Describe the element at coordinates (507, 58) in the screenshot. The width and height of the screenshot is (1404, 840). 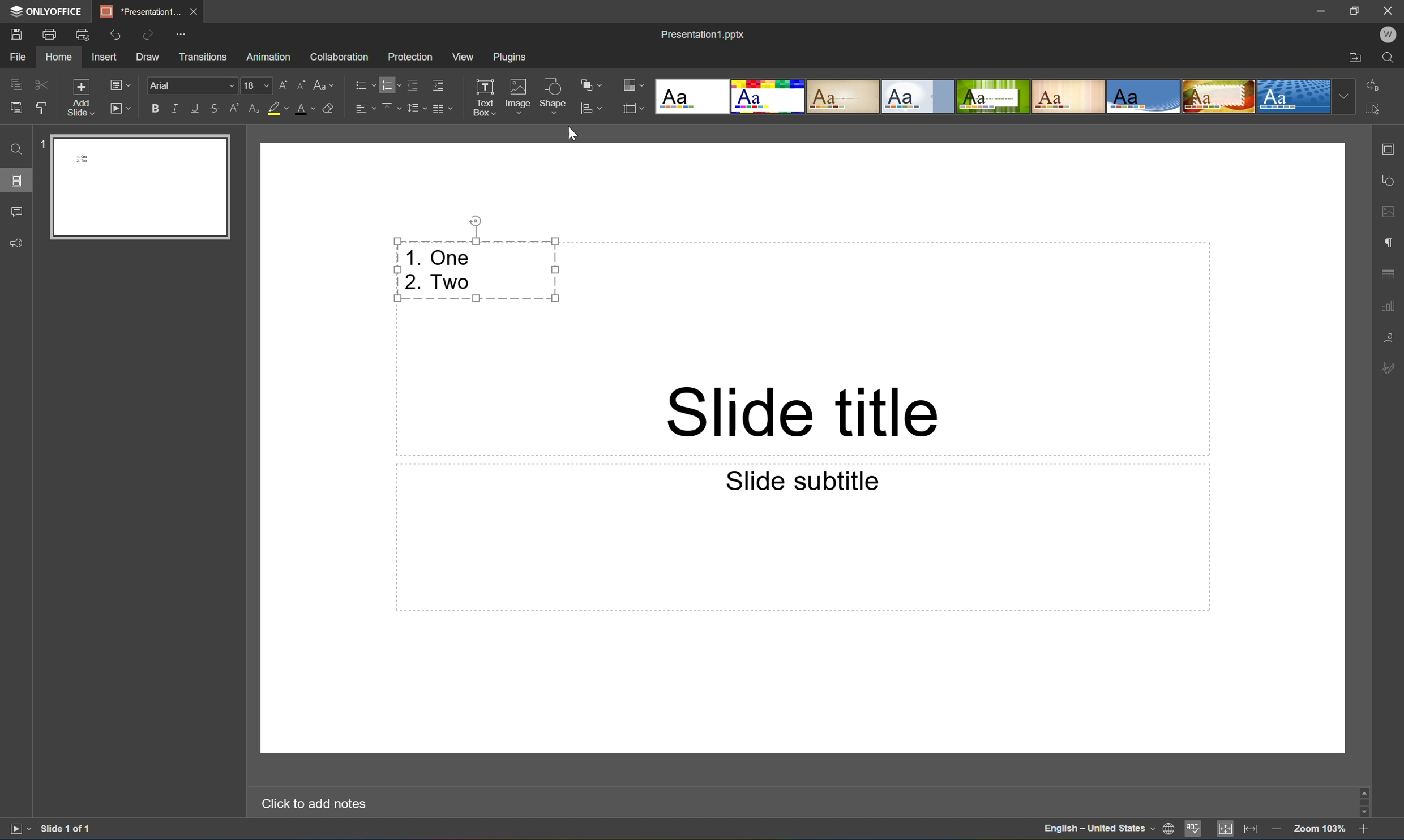
I see `Plugins` at that location.